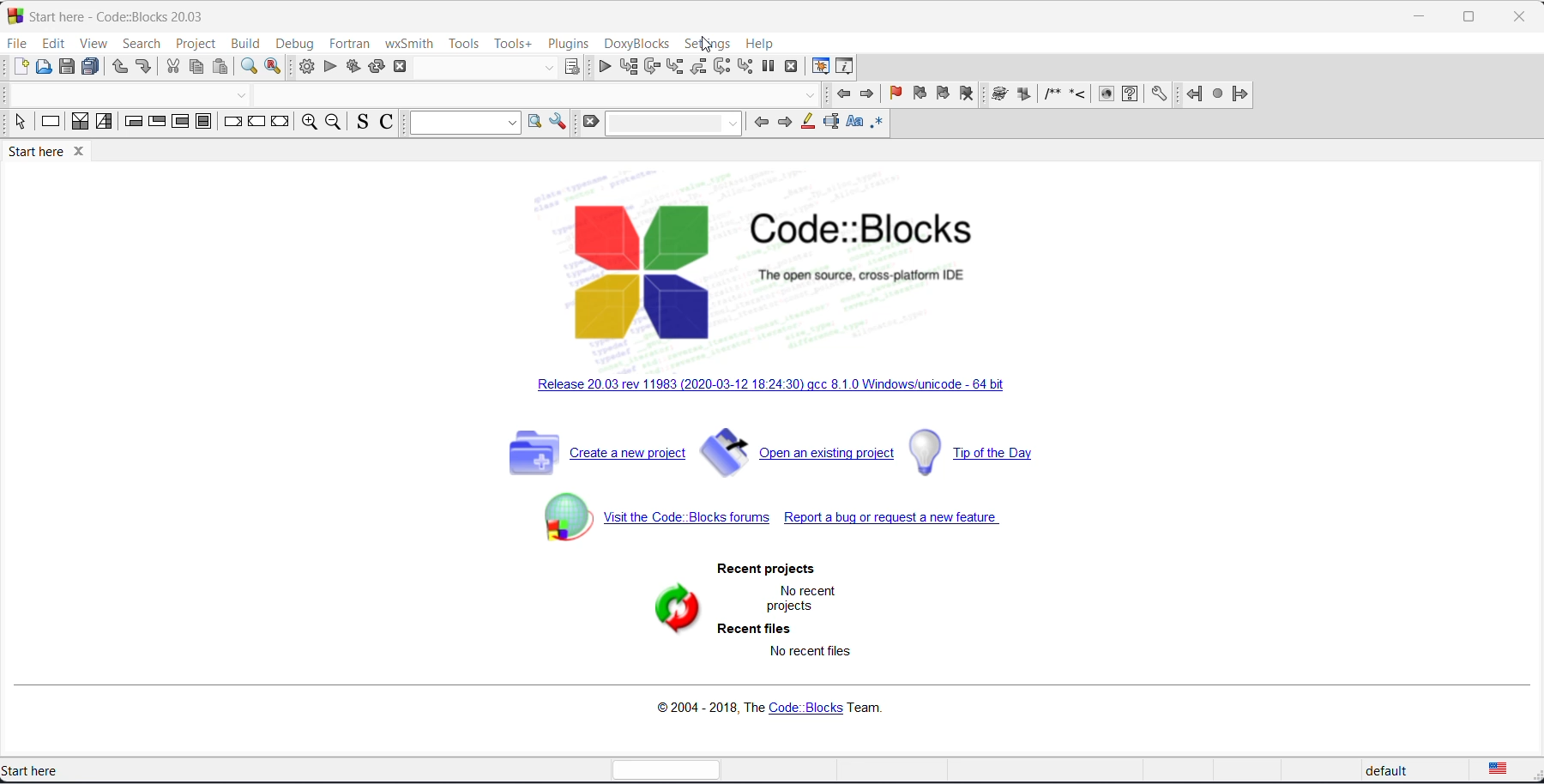 Image resolution: width=1544 pixels, height=784 pixels. What do you see at coordinates (697, 66) in the screenshot?
I see `step out` at bounding box center [697, 66].